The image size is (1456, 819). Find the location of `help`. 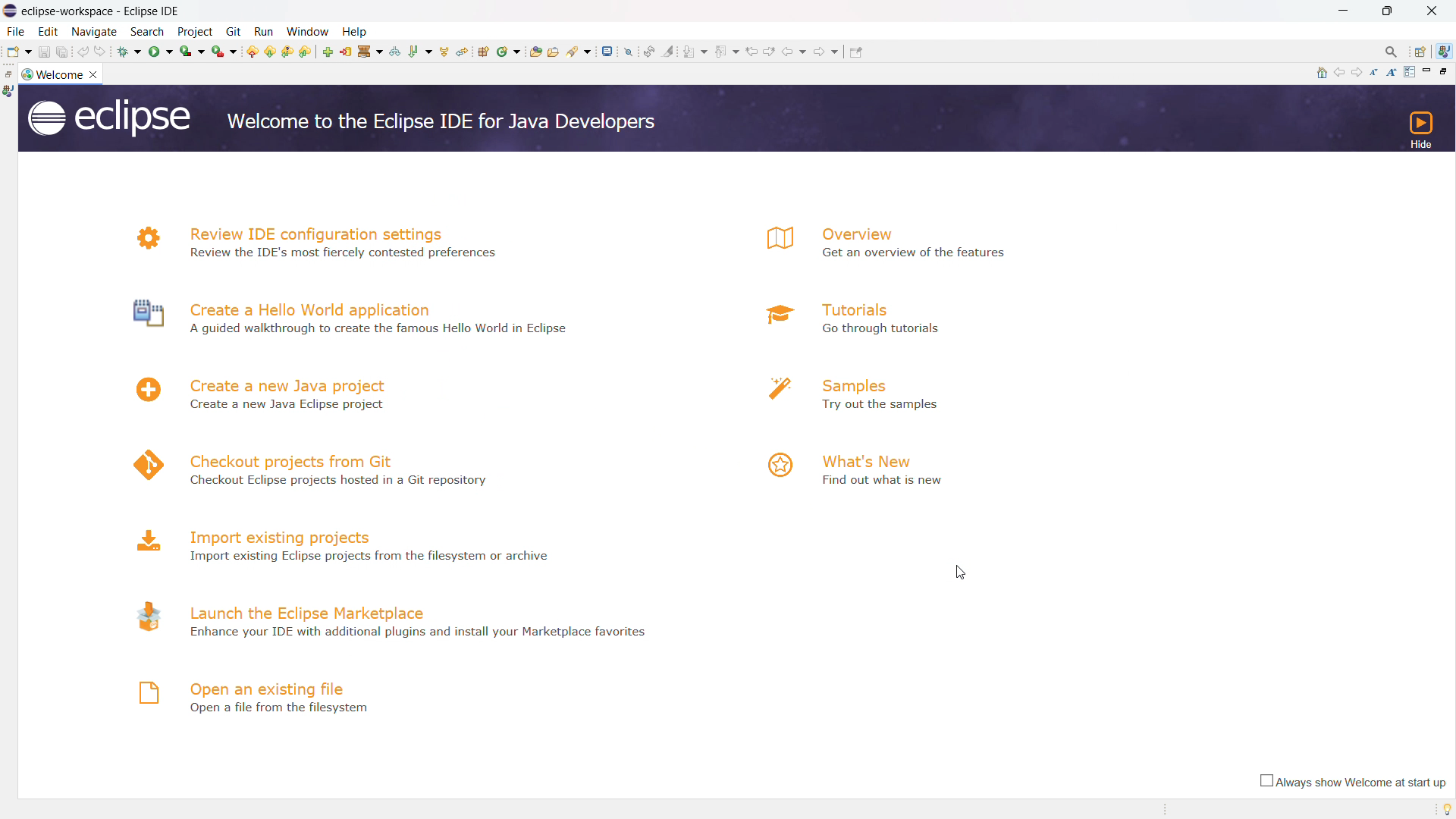

help is located at coordinates (361, 31).